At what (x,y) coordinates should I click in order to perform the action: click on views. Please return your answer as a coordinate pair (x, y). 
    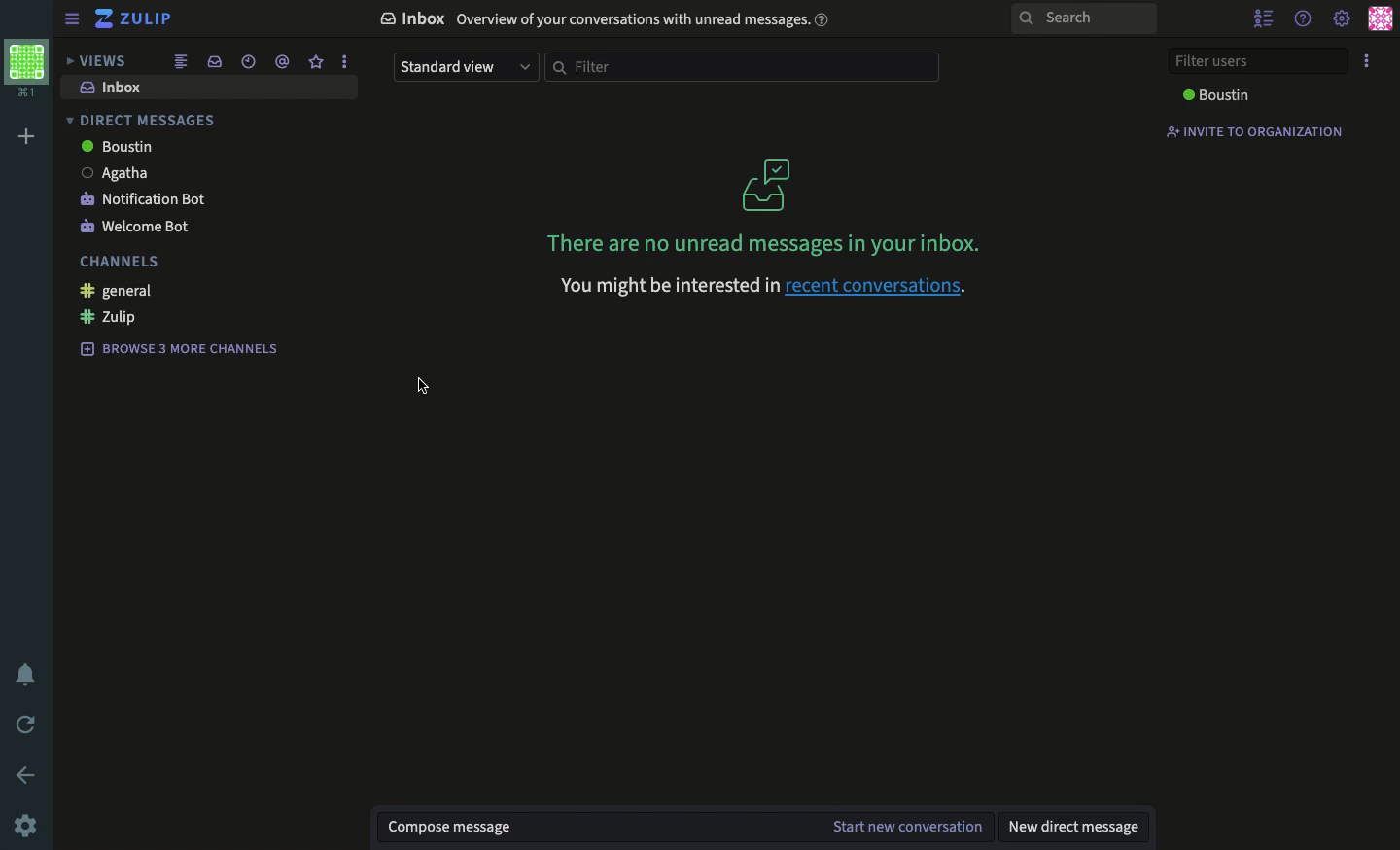
    Looking at the image, I should click on (96, 61).